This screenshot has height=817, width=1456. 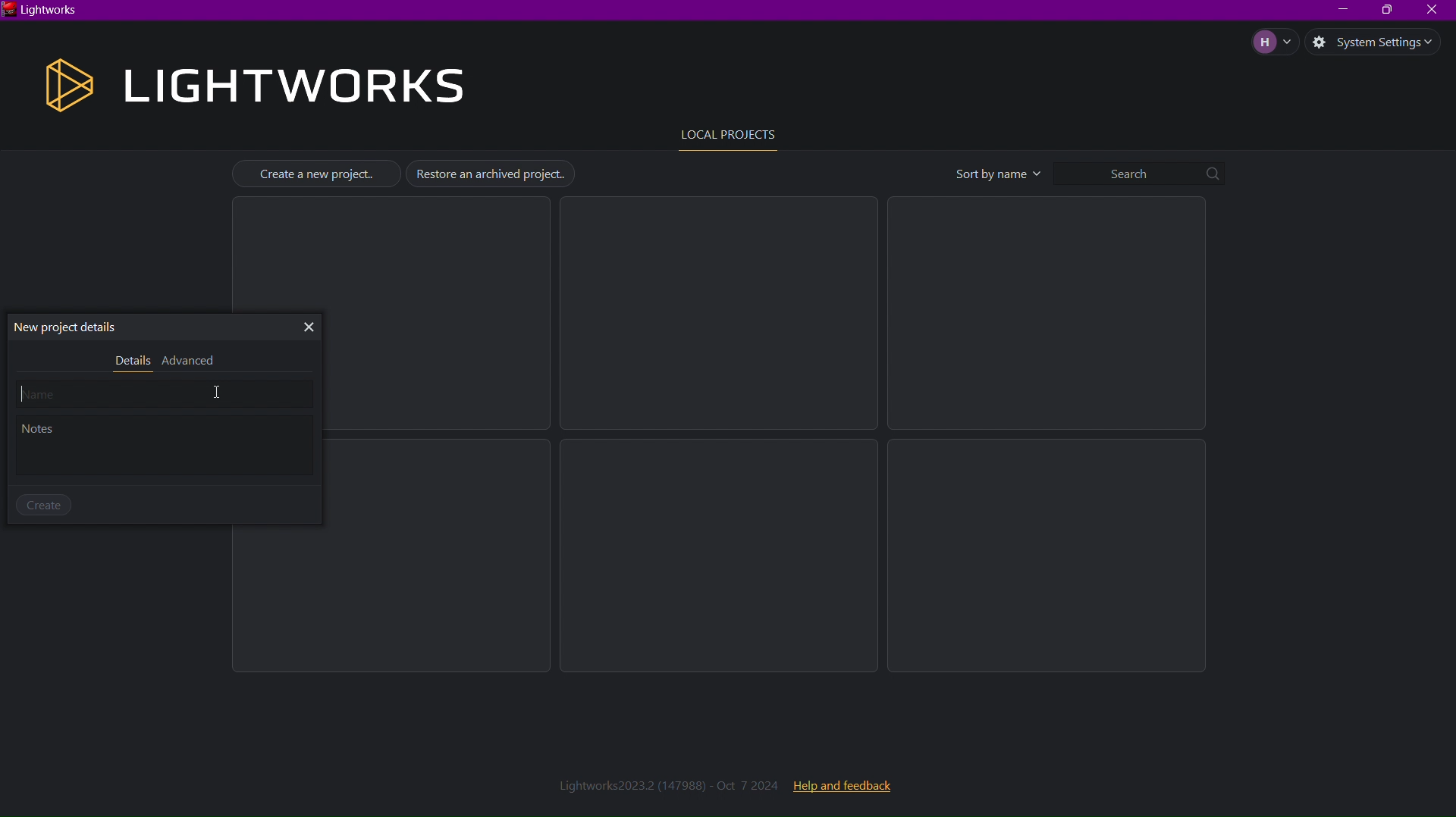 What do you see at coordinates (1141, 172) in the screenshot?
I see `Search bar` at bounding box center [1141, 172].